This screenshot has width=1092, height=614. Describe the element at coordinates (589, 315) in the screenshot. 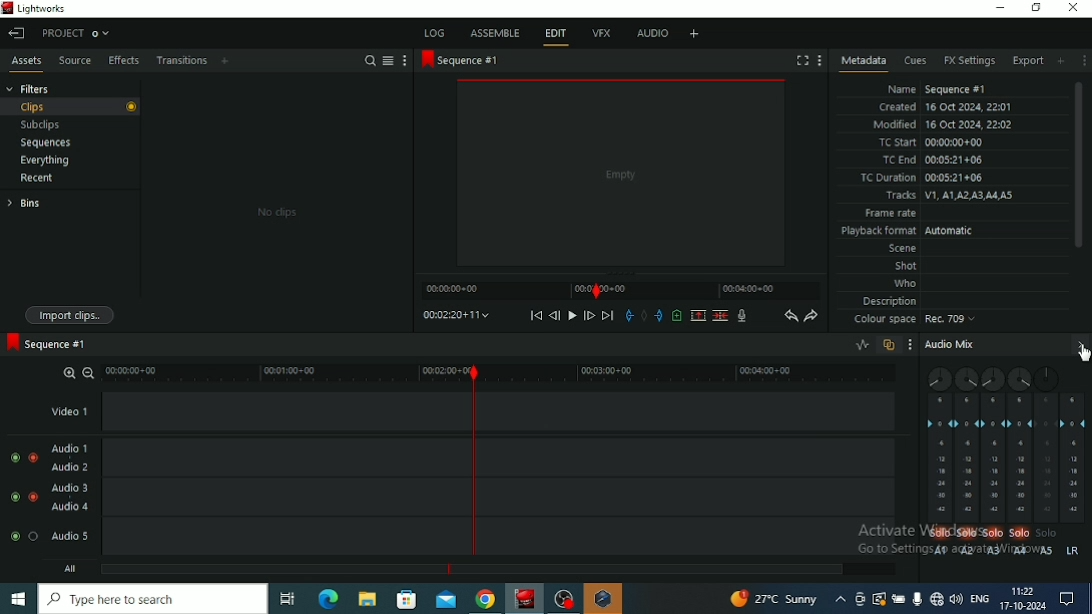

I see `Nudge one frame forward` at that location.